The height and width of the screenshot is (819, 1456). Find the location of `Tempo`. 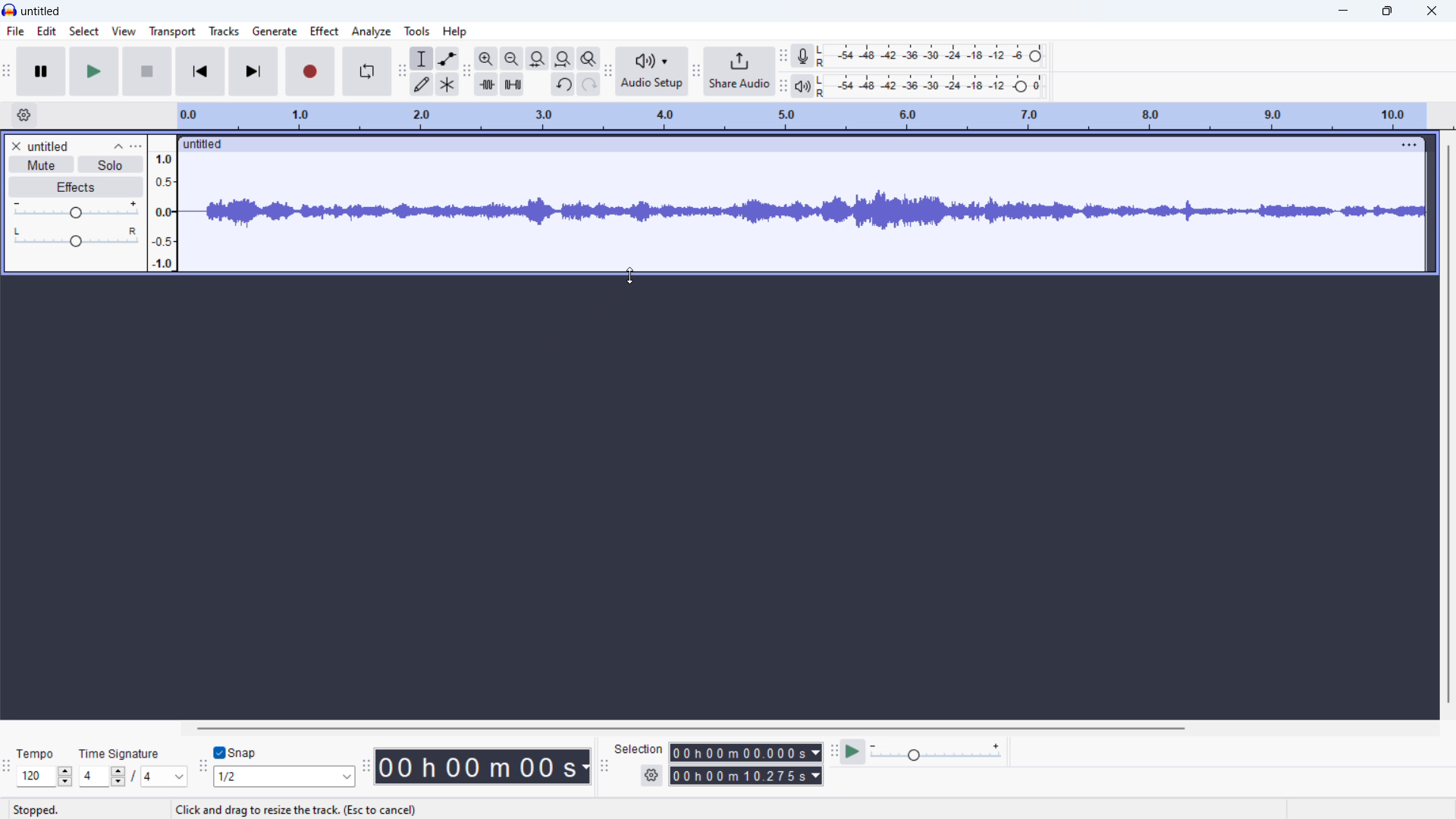

Tempo is located at coordinates (39, 754).